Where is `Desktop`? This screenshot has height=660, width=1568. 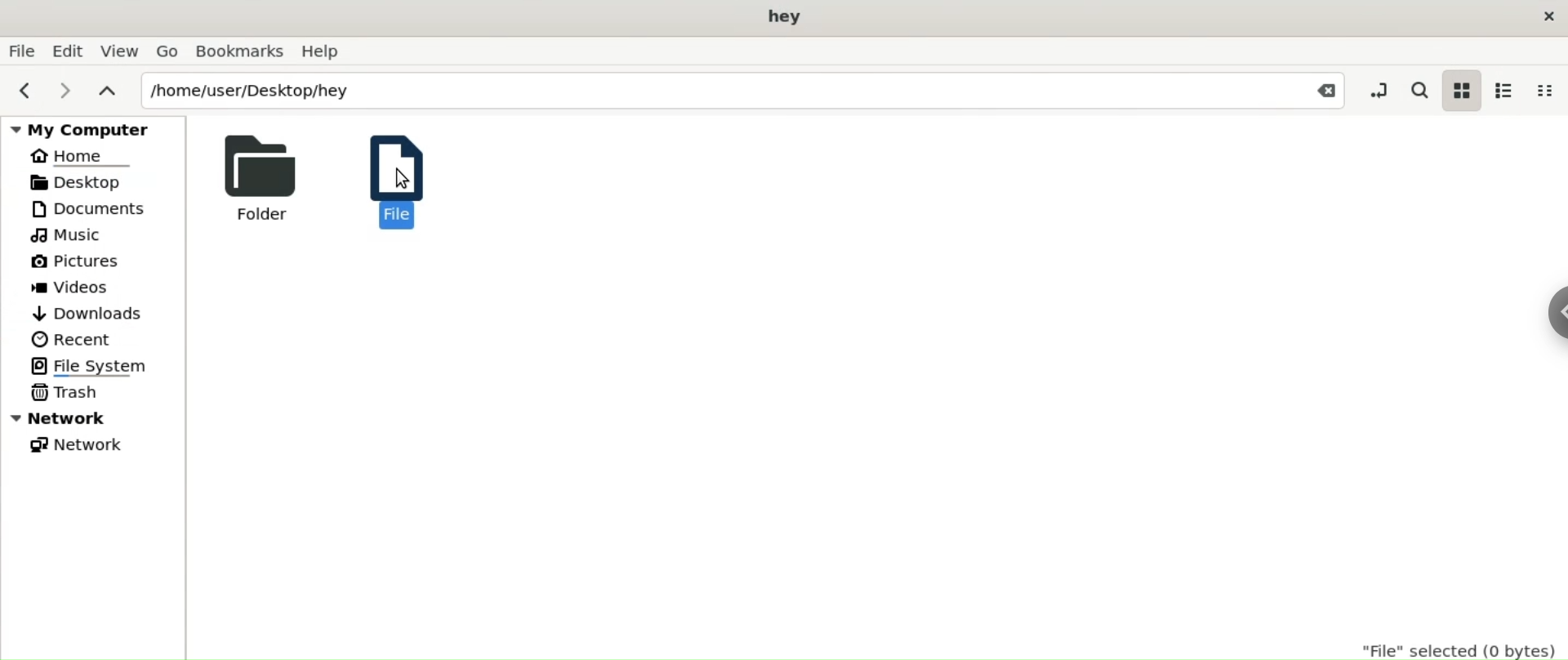 Desktop is located at coordinates (86, 182).